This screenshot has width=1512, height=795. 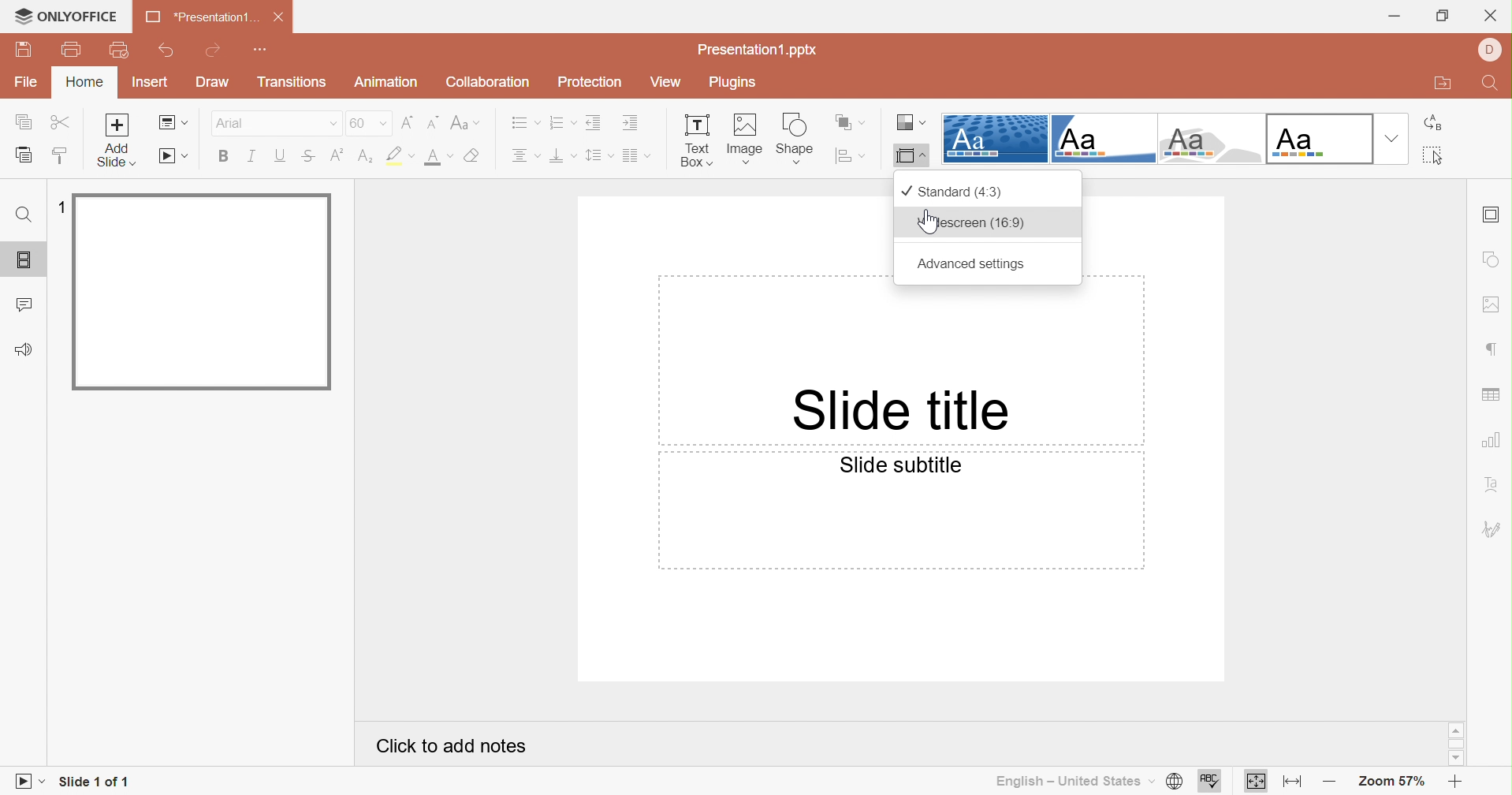 What do you see at coordinates (172, 155) in the screenshot?
I see `Start slideshow` at bounding box center [172, 155].